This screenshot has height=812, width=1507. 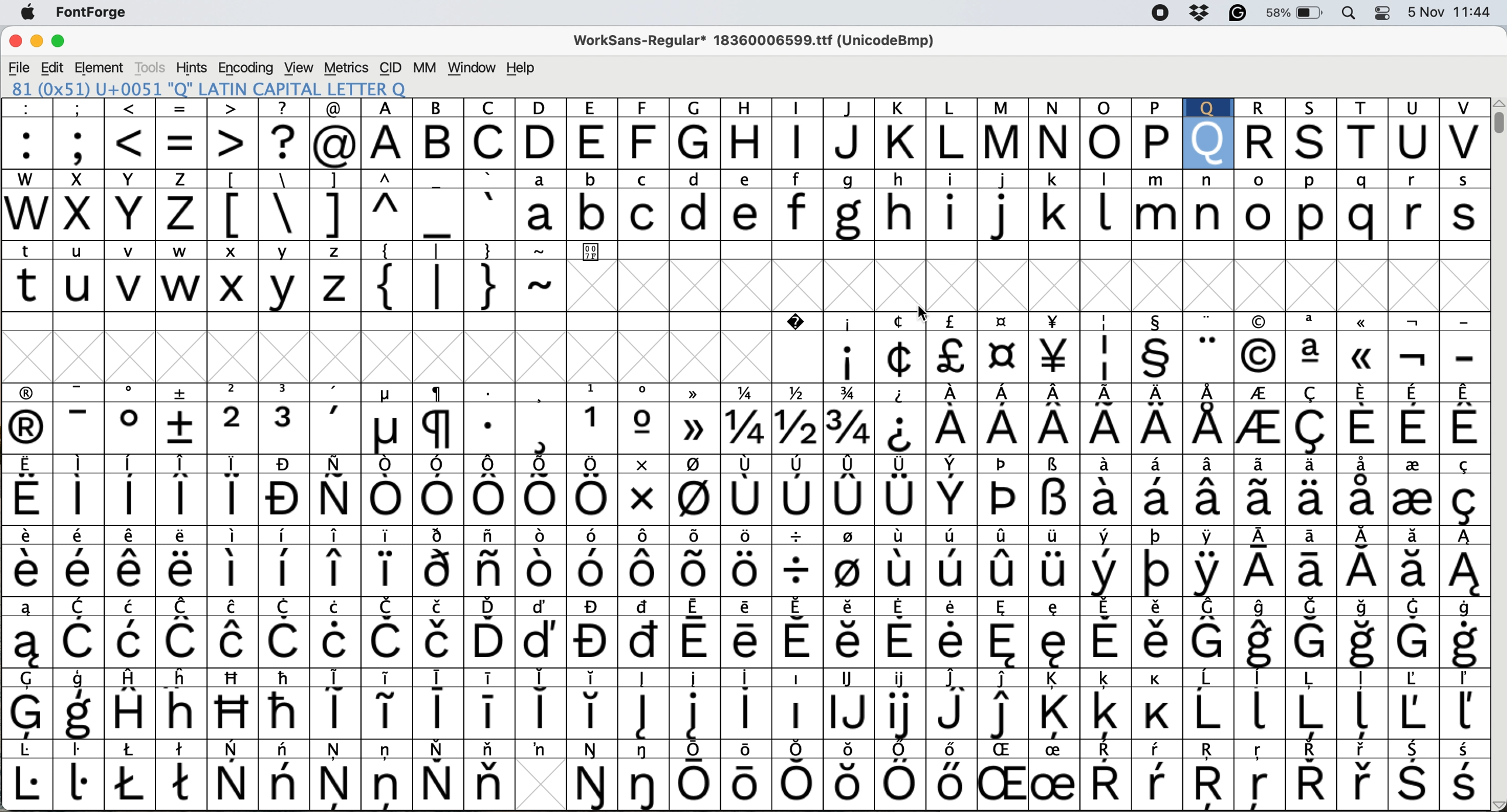 I want to click on text, so click(x=746, y=107).